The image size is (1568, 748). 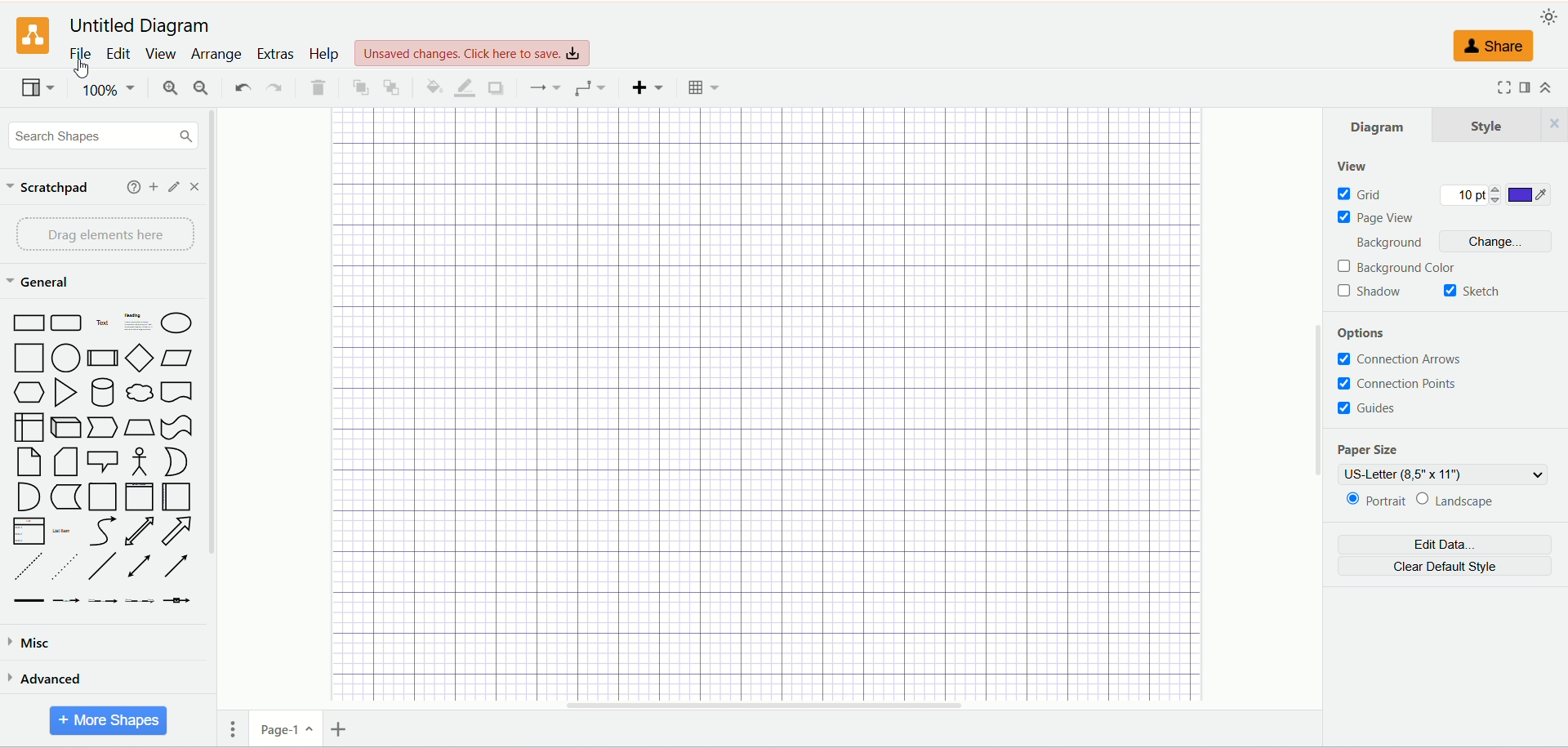 What do you see at coordinates (1352, 167) in the screenshot?
I see `view` at bounding box center [1352, 167].